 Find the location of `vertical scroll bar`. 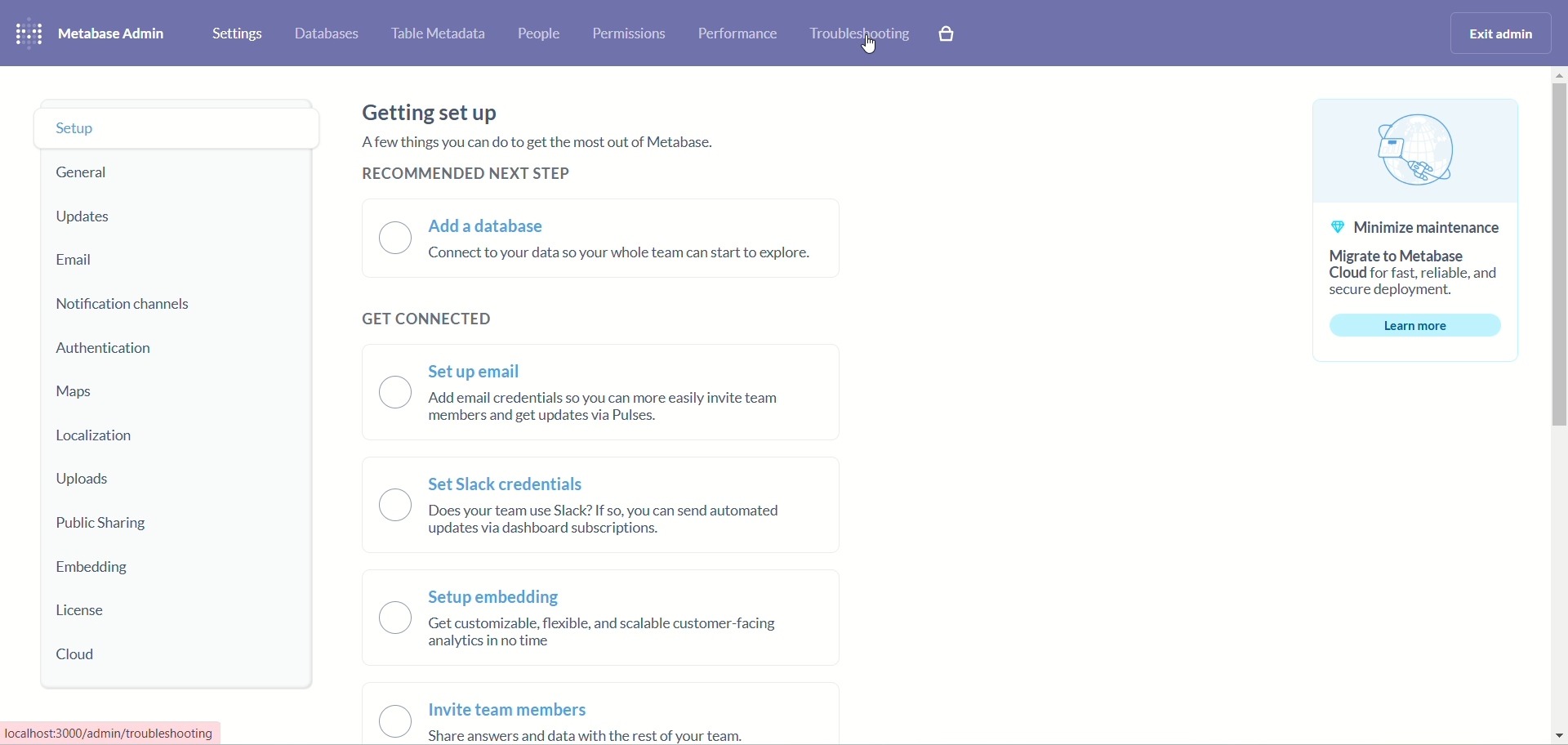

vertical scroll bar is located at coordinates (1558, 408).